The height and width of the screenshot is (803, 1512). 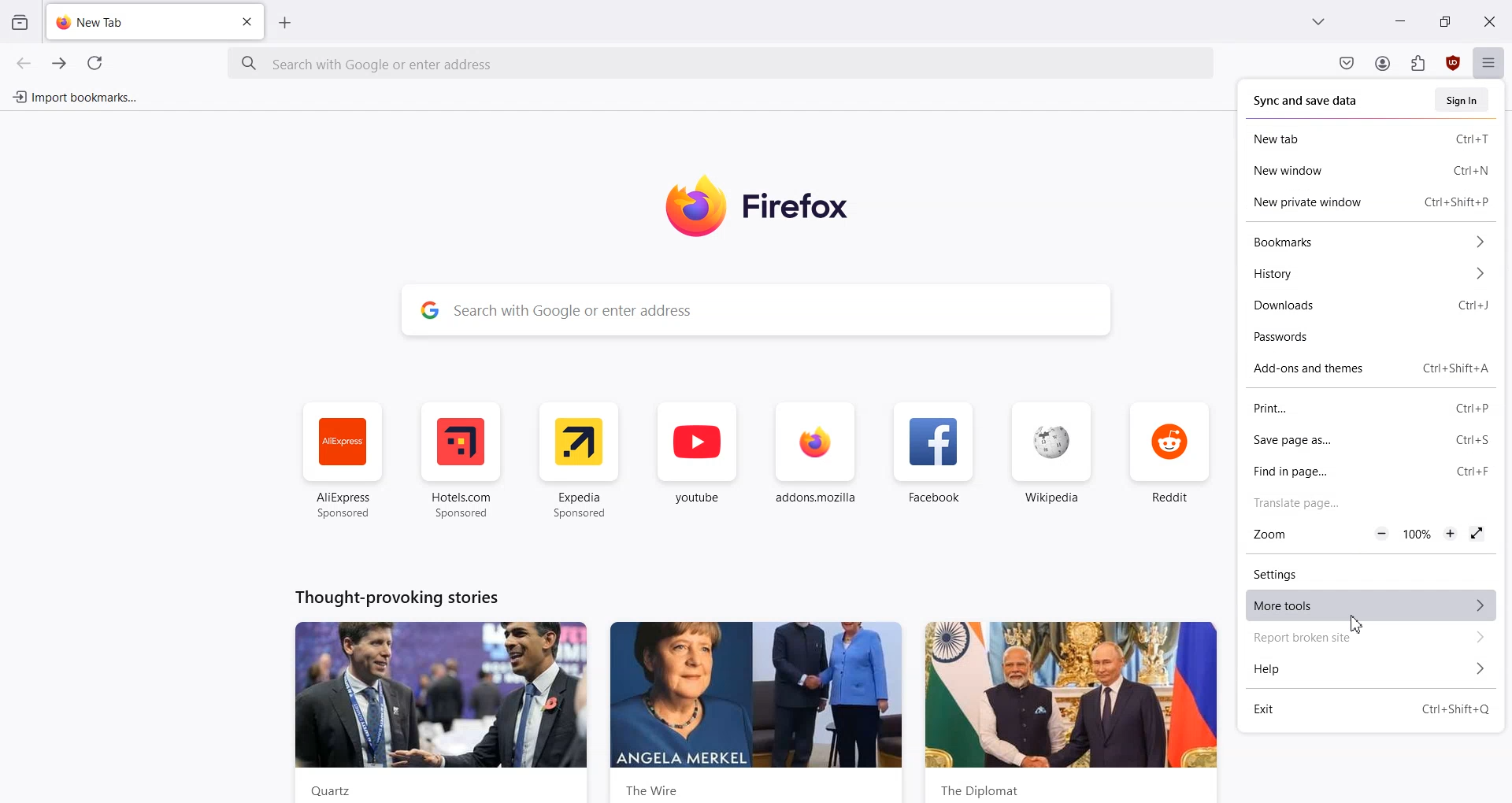 I want to click on Save pages as, so click(x=1334, y=442).